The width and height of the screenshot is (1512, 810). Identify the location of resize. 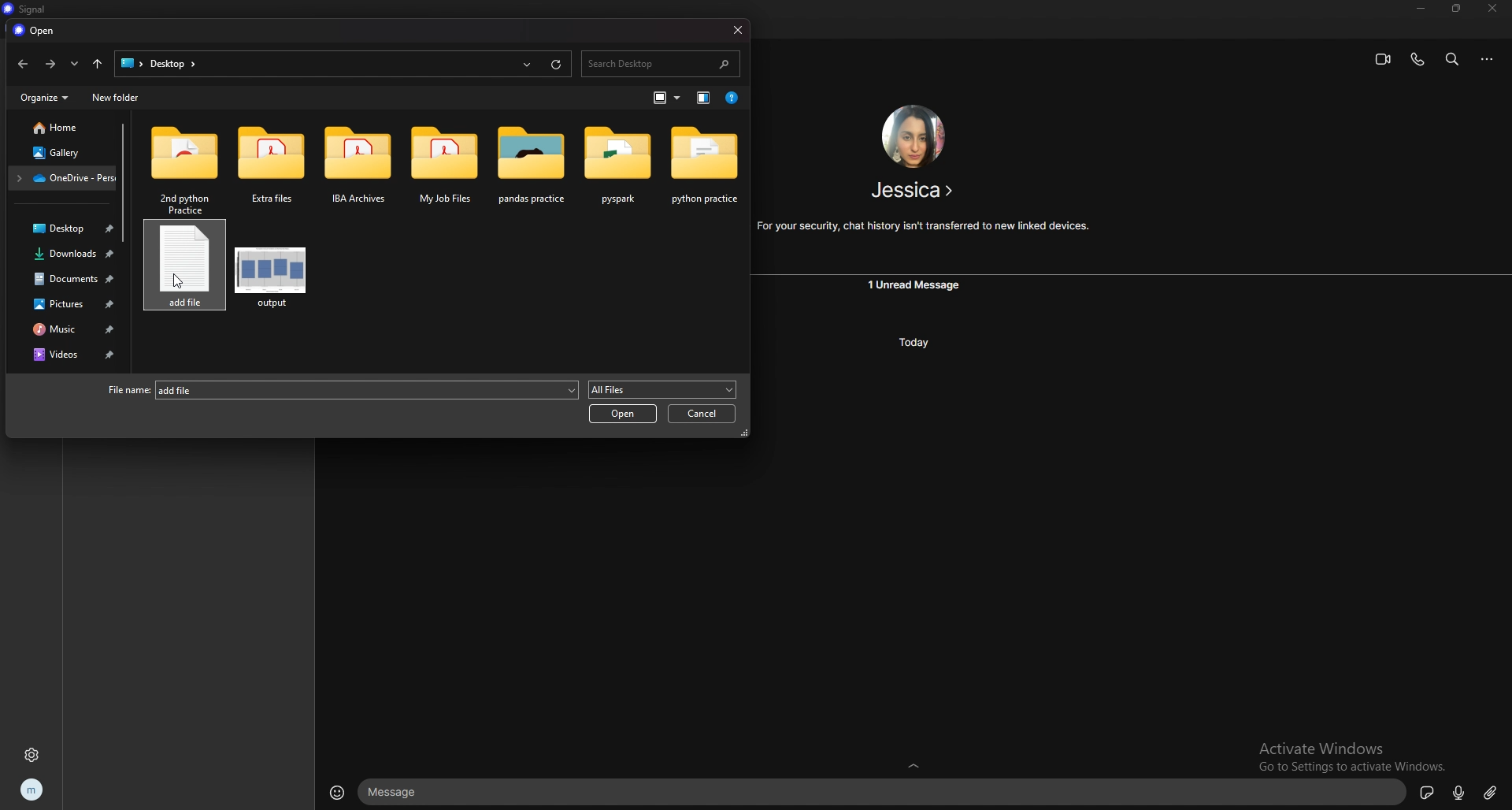
(1456, 8).